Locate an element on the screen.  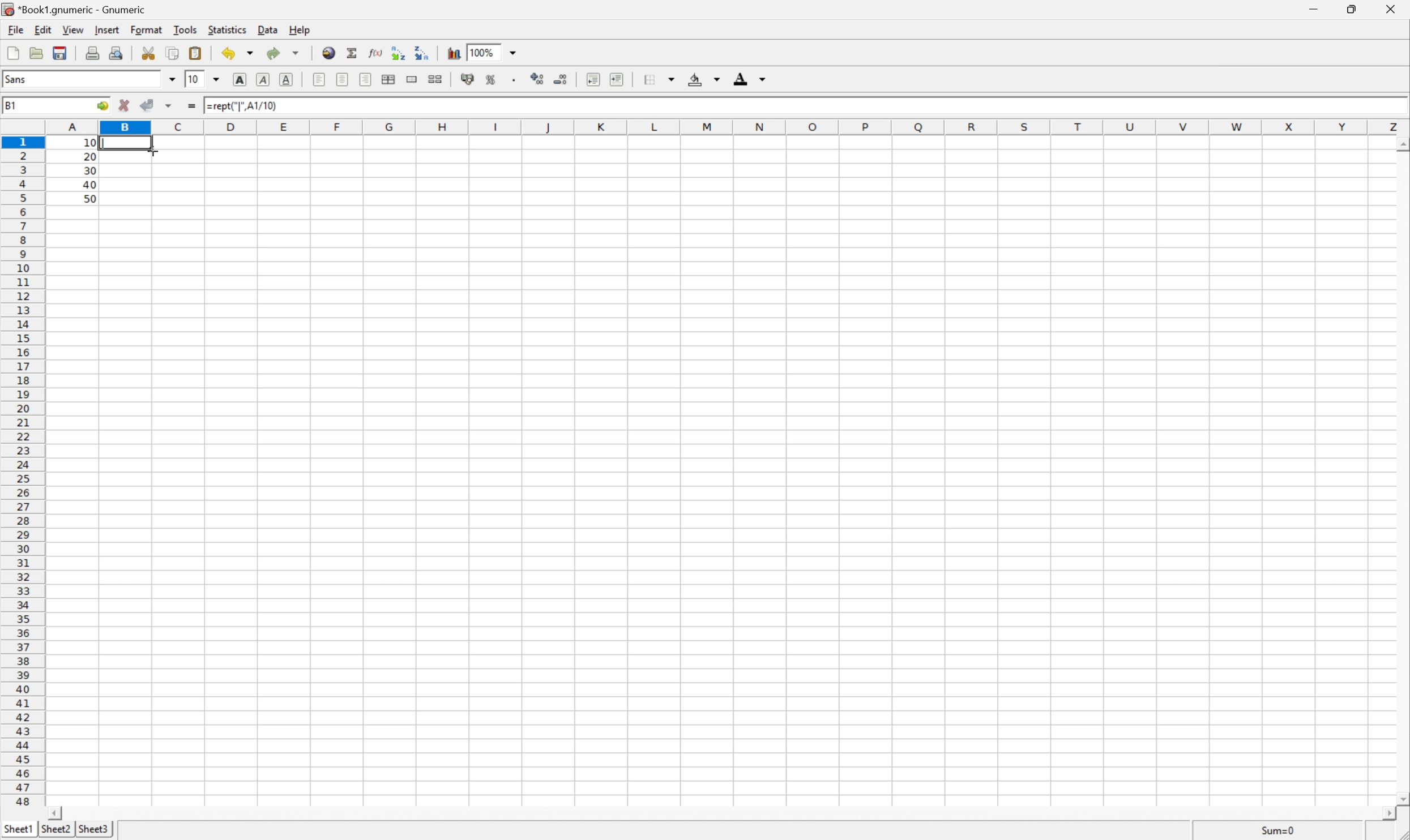
Decrease indent, and align the contents to the left is located at coordinates (593, 78).